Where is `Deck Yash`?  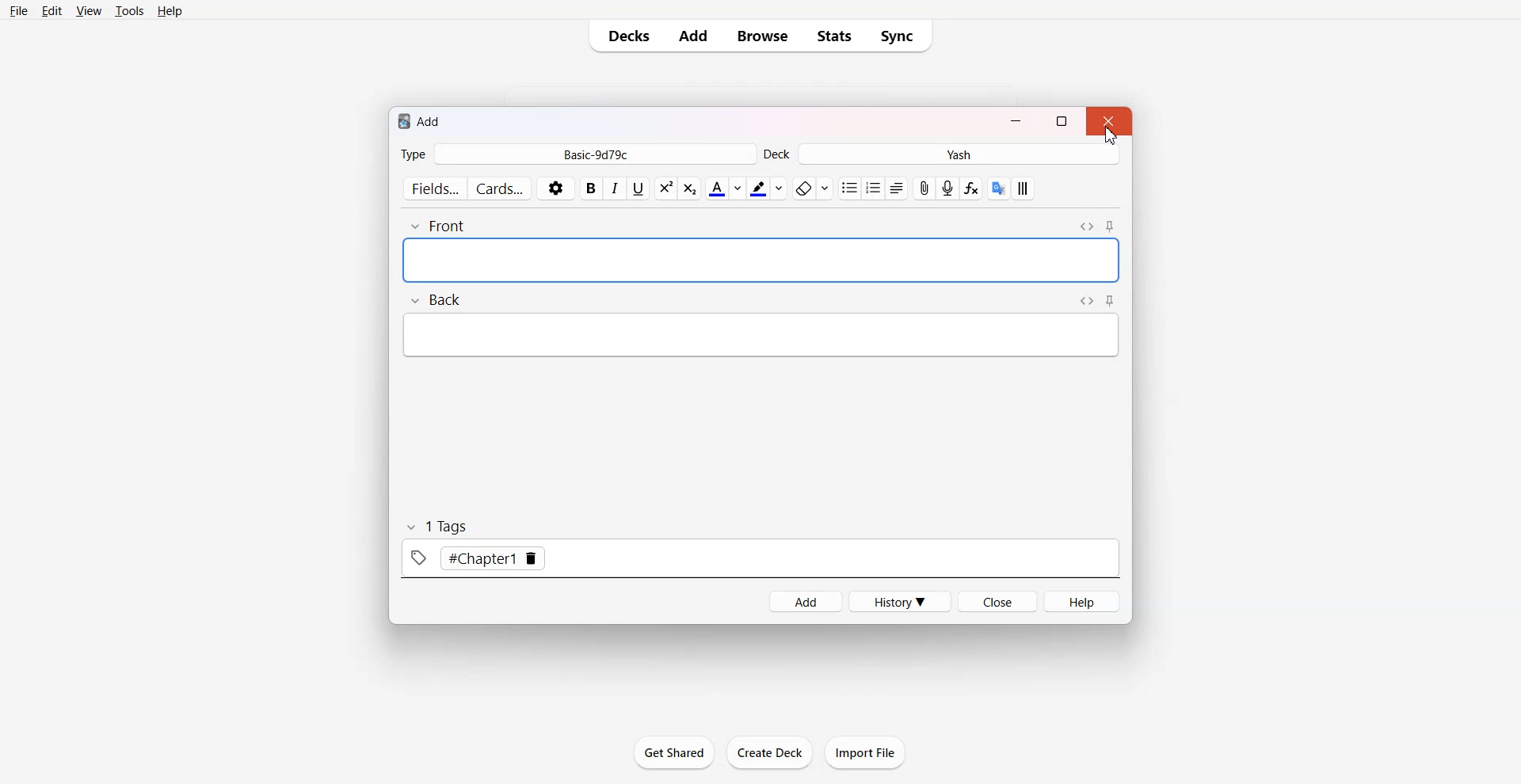
Deck Yash is located at coordinates (943, 154).